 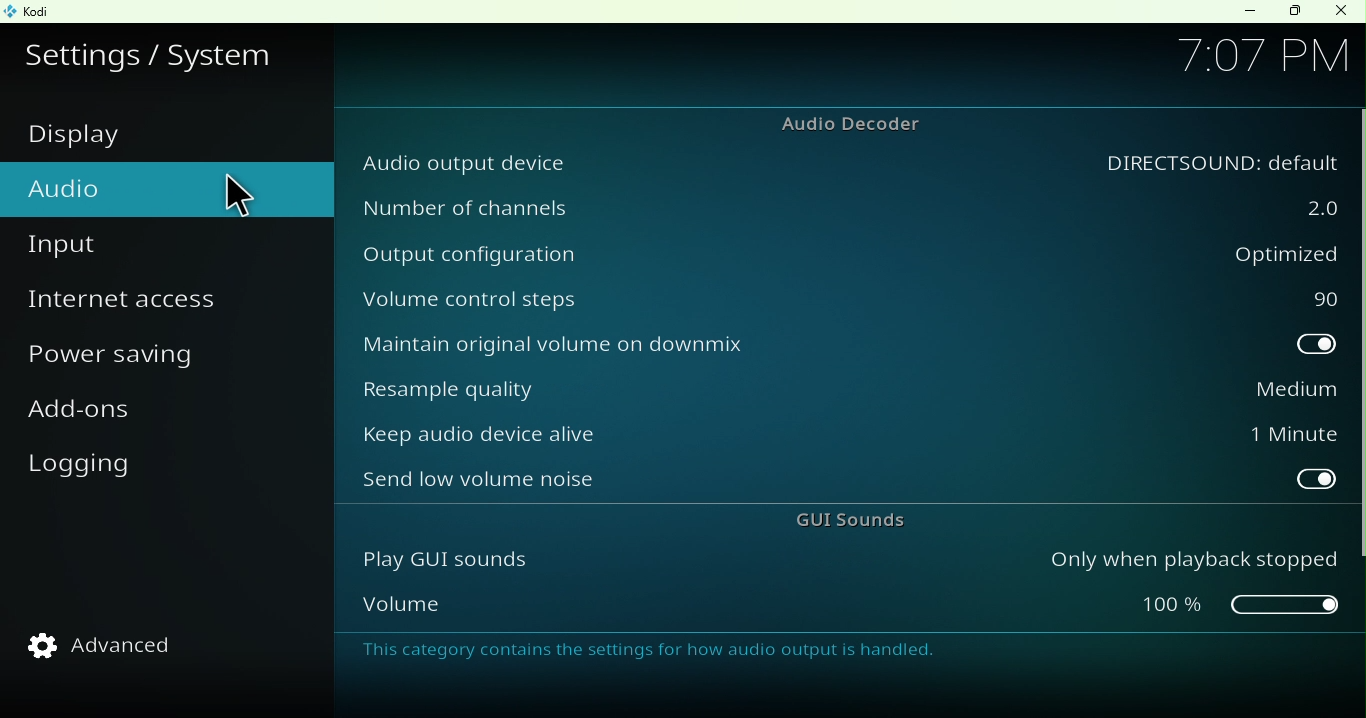 What do you see at coordinates (90, 417) in the screenshot?
I see `Add-ons` at bounding box center [90, 417].